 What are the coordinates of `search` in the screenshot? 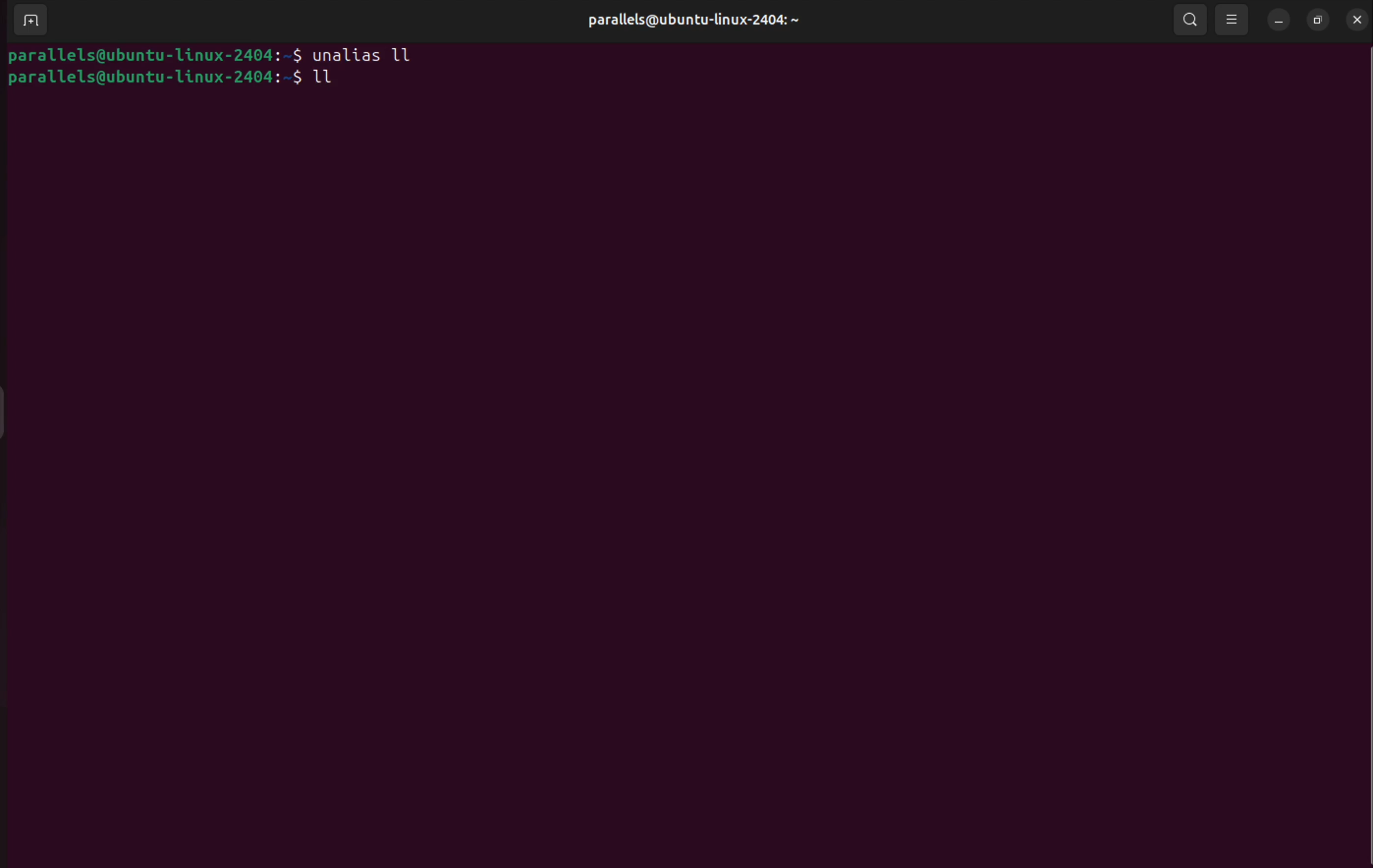 It's located at (1187, 19).